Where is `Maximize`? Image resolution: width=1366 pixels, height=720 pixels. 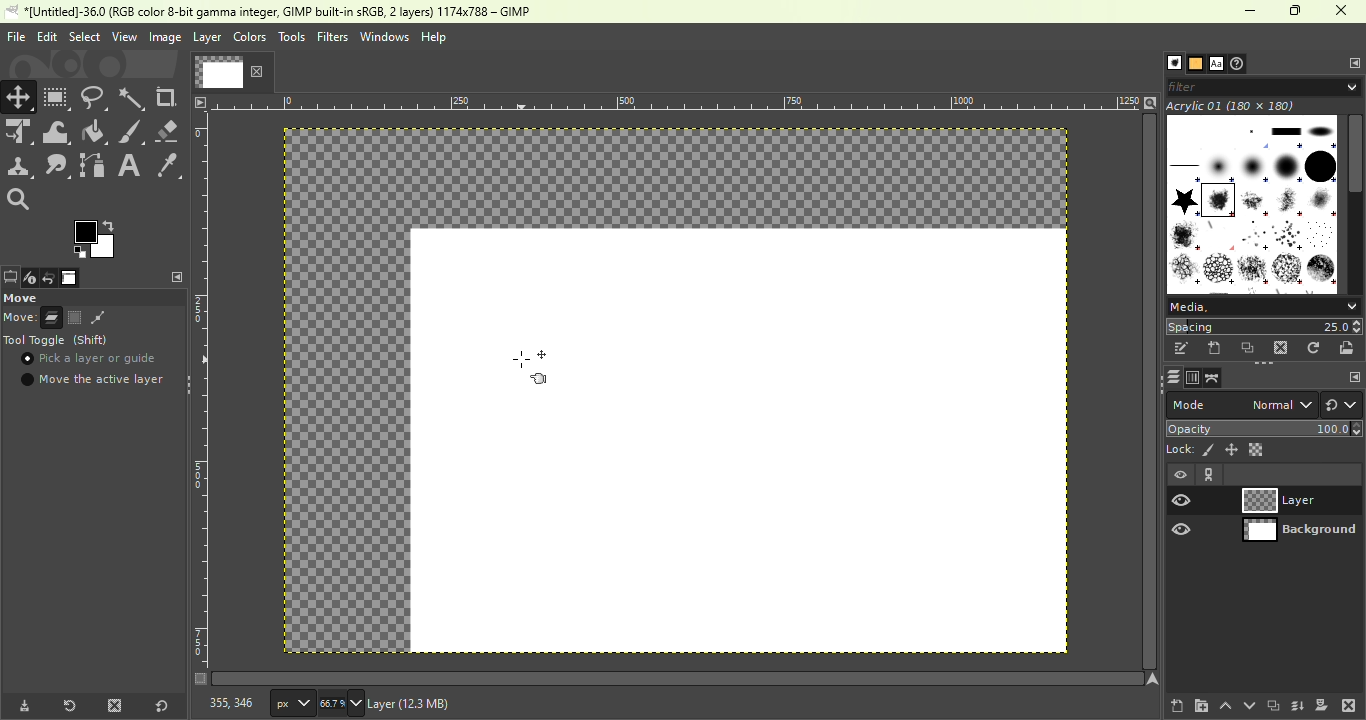
Maximize is located at coordinates (1298, 11).